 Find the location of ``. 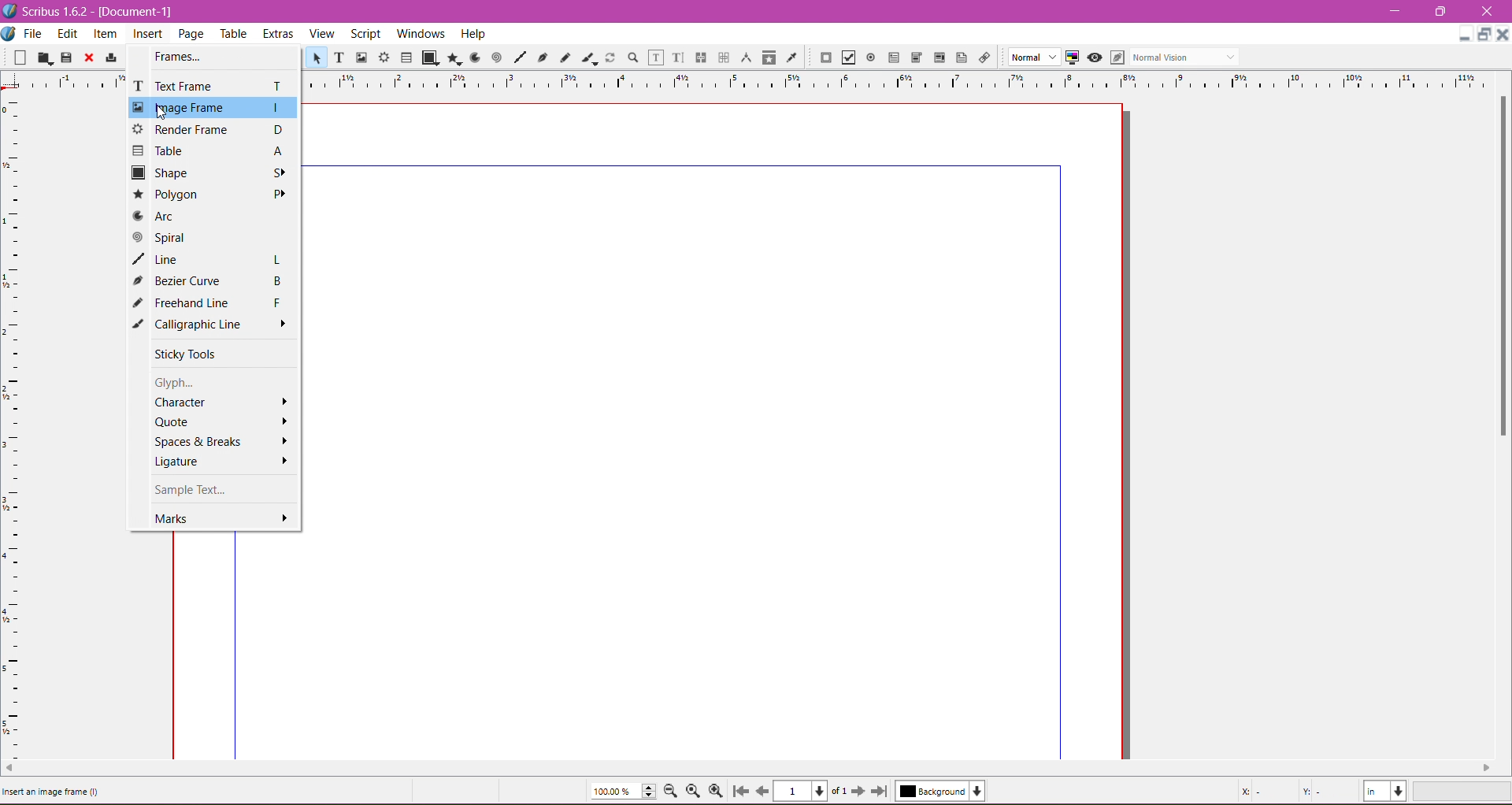

 is located at coordinates (1261, 791).